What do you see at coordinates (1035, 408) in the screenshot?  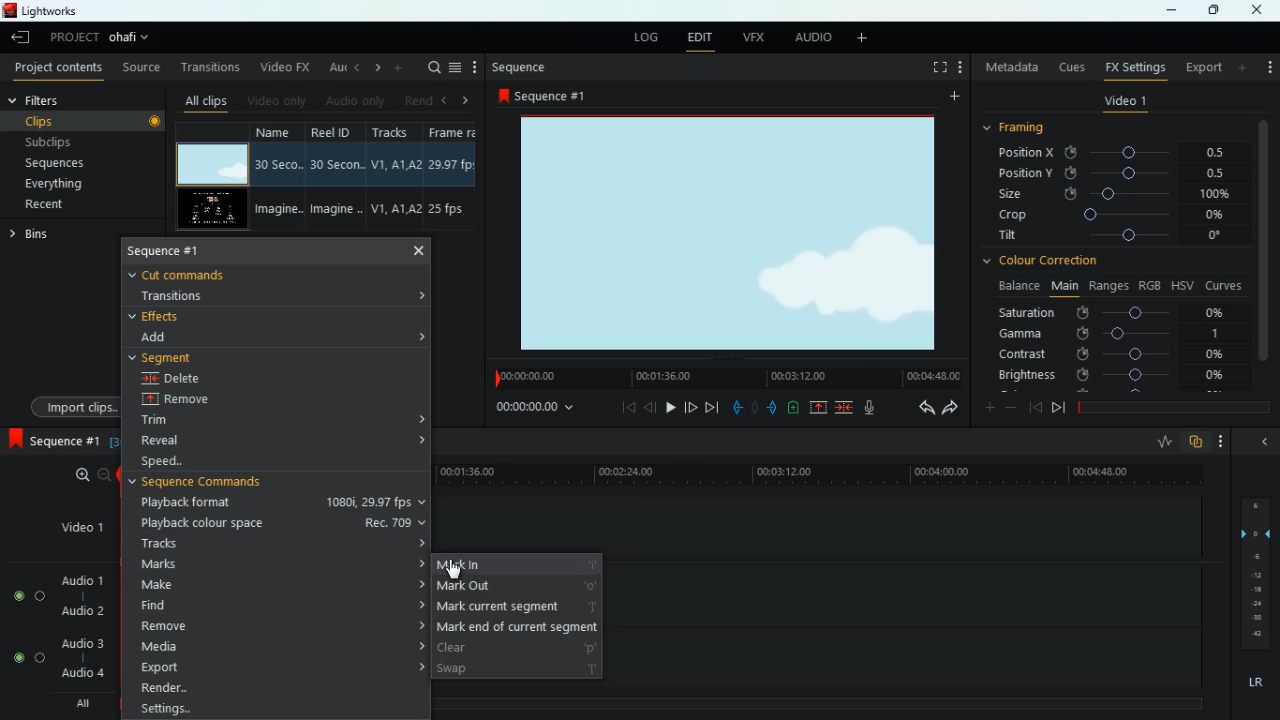 I see `back` at bounding box center [1035, 408].